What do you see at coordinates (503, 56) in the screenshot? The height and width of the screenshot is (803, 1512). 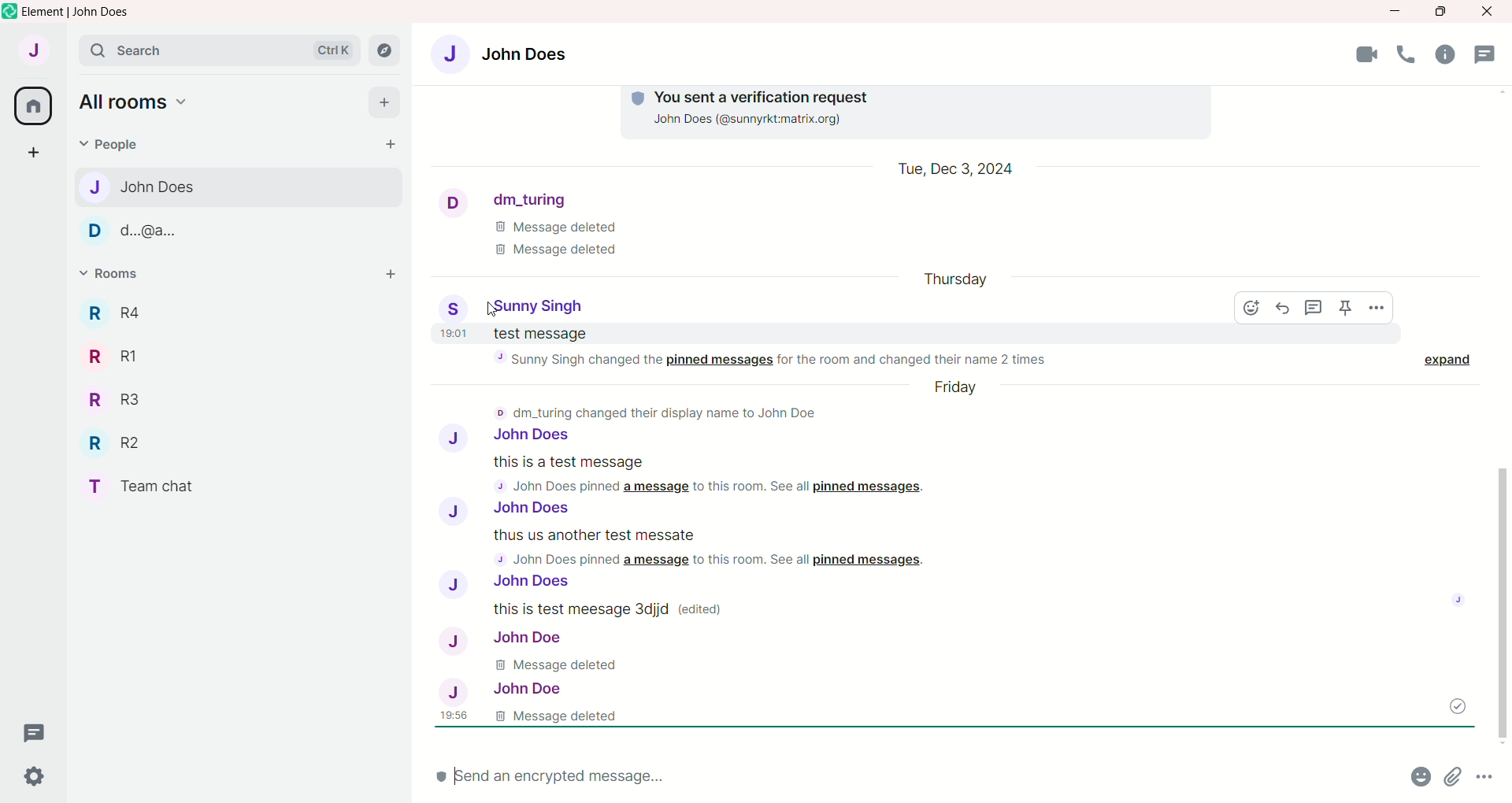 I see `John Does` at bounding box center [503, 56].